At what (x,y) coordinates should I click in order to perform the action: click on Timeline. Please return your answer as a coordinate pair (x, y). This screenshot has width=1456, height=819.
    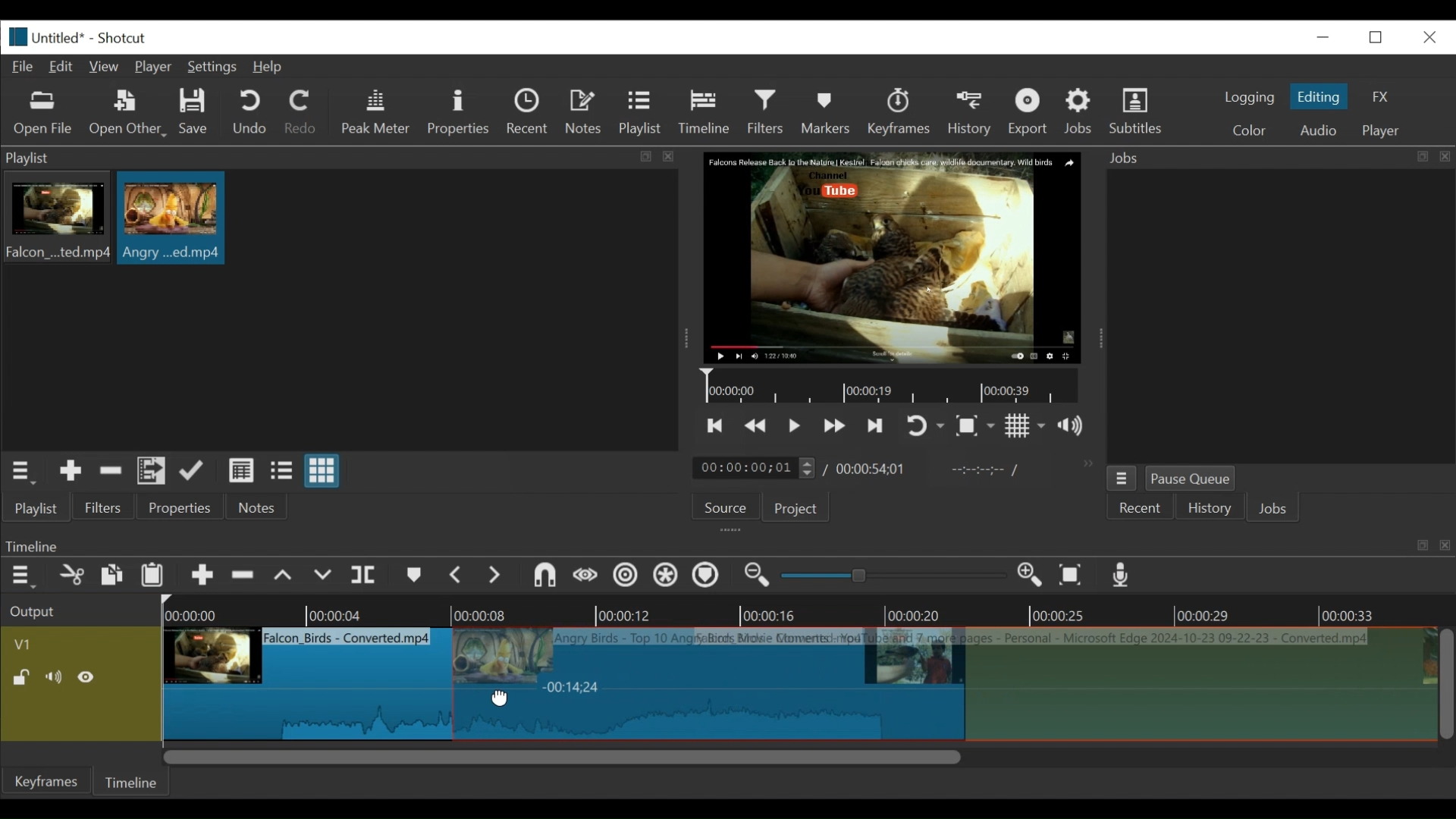
    Looking at the image, I should click on (1197, 685).